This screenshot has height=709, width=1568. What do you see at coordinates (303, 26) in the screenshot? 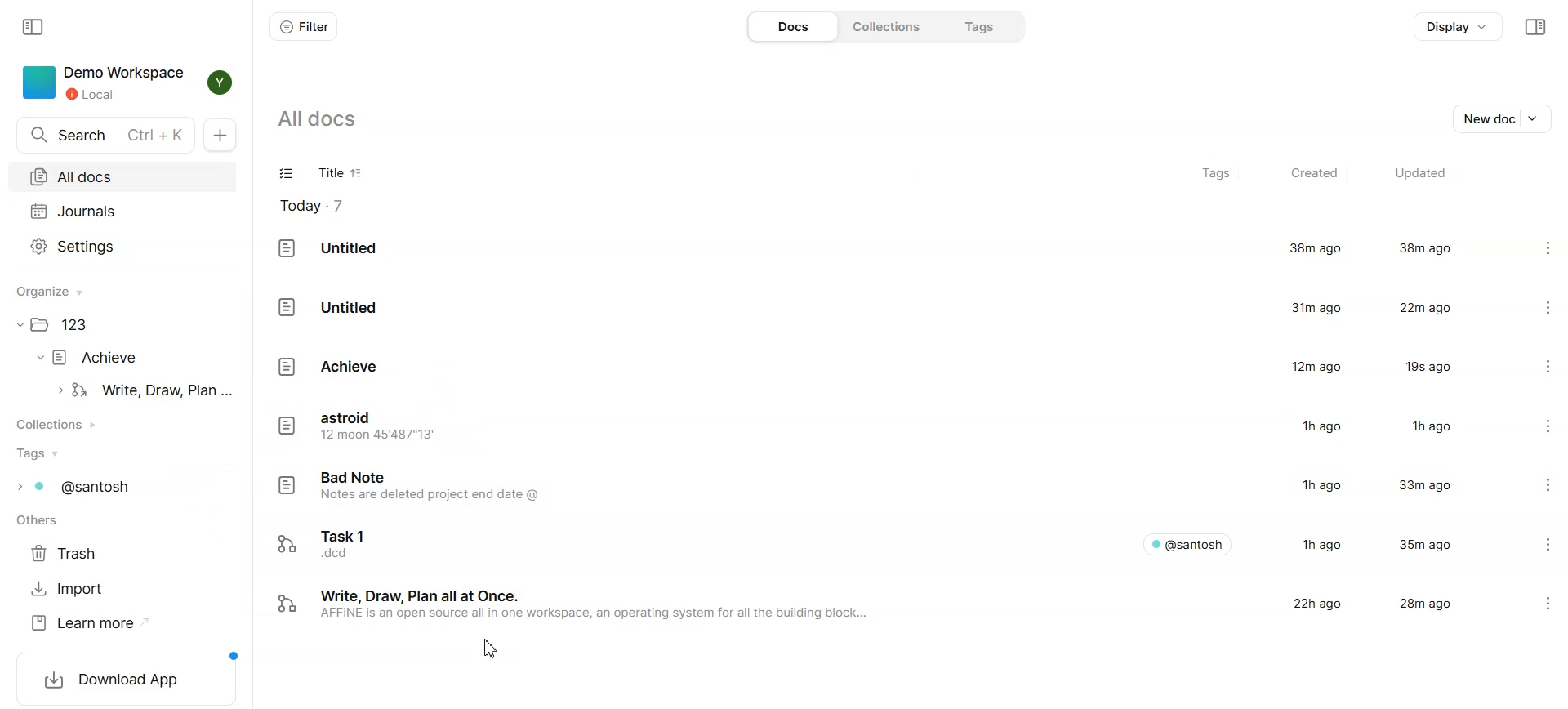
I see `Filter` at bounding box center [303, 26].